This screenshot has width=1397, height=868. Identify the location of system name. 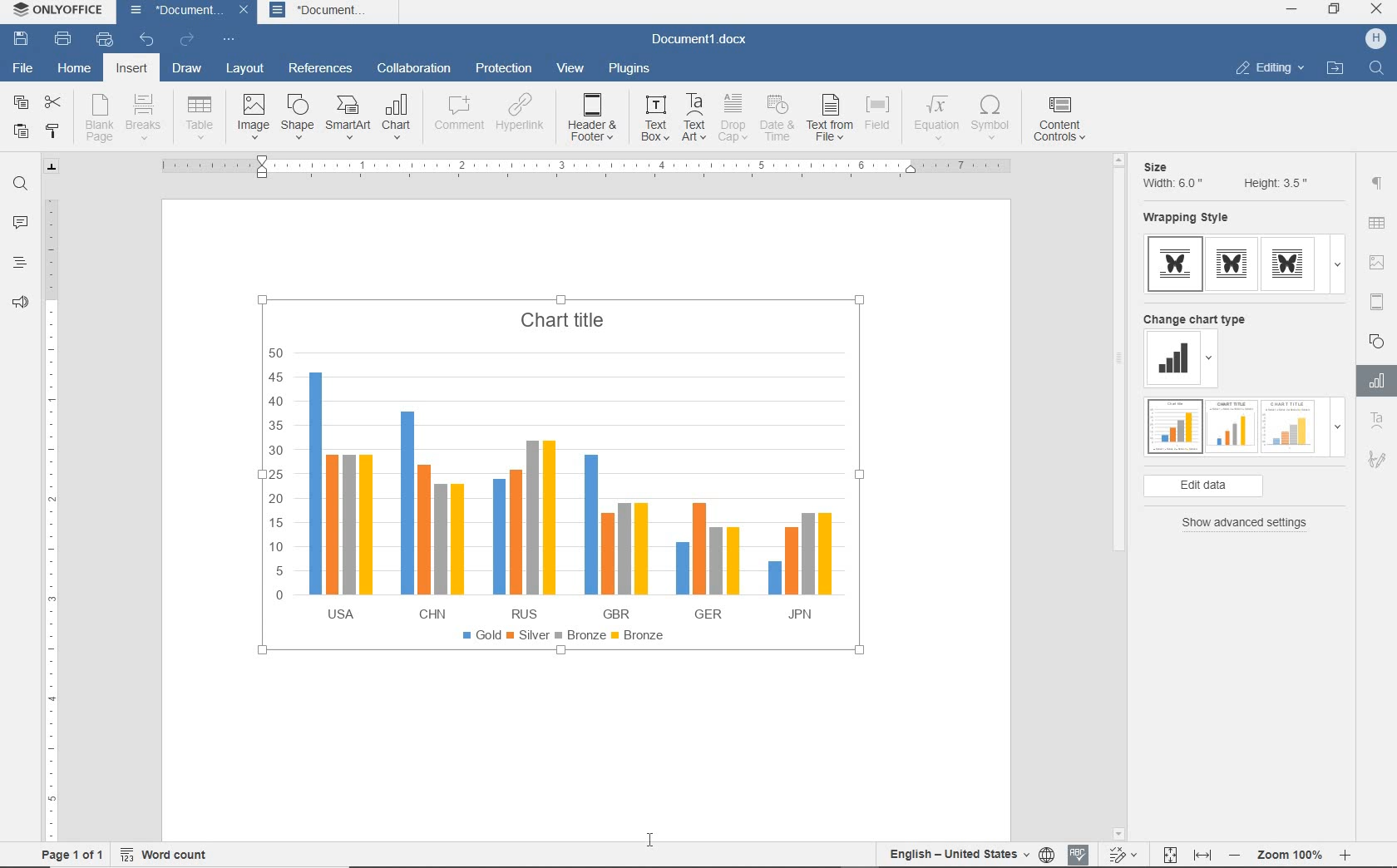
(61, 13).